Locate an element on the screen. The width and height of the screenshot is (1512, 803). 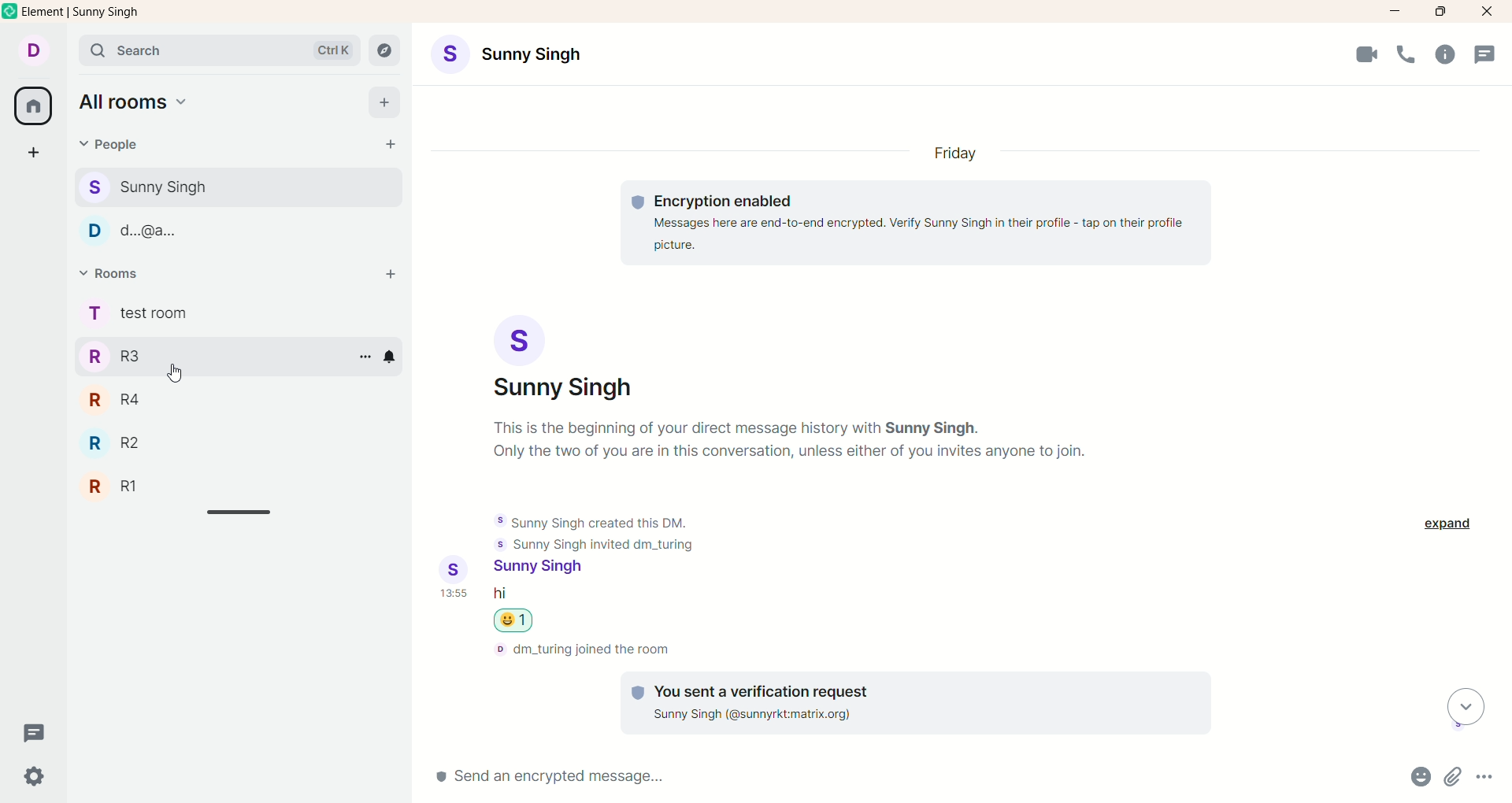
video call is located at coordinates (1365, 55).